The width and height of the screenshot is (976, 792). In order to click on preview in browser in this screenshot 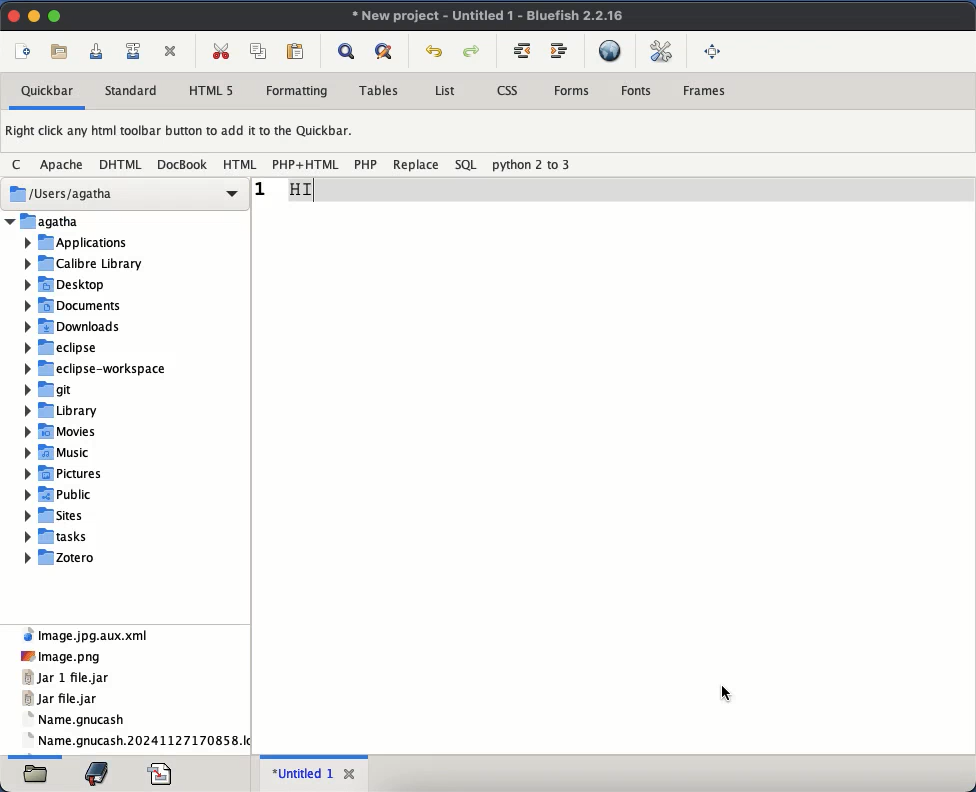, I will do `click(611, 49)`.